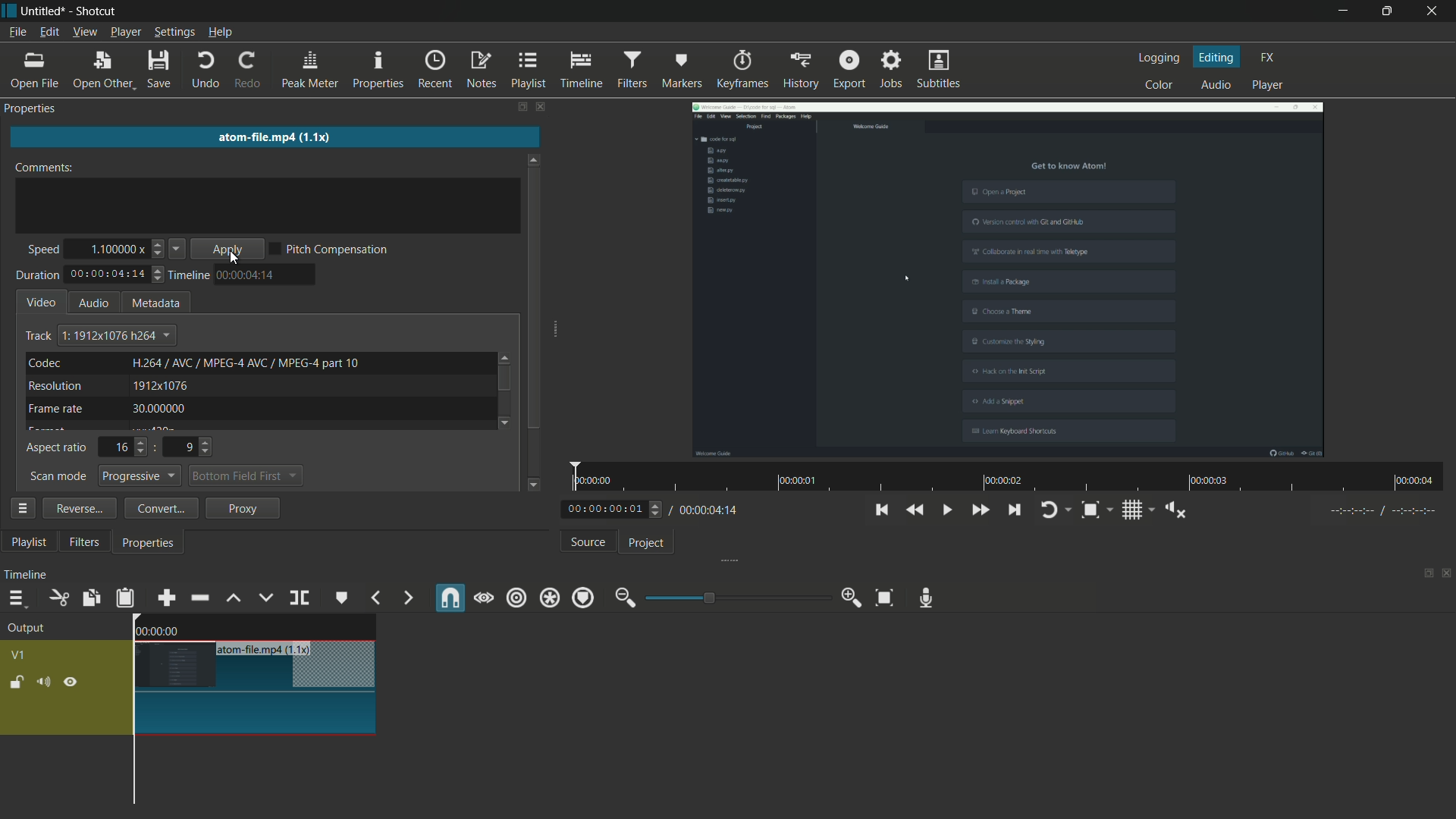  I want to click on filters, so click(632, 69).